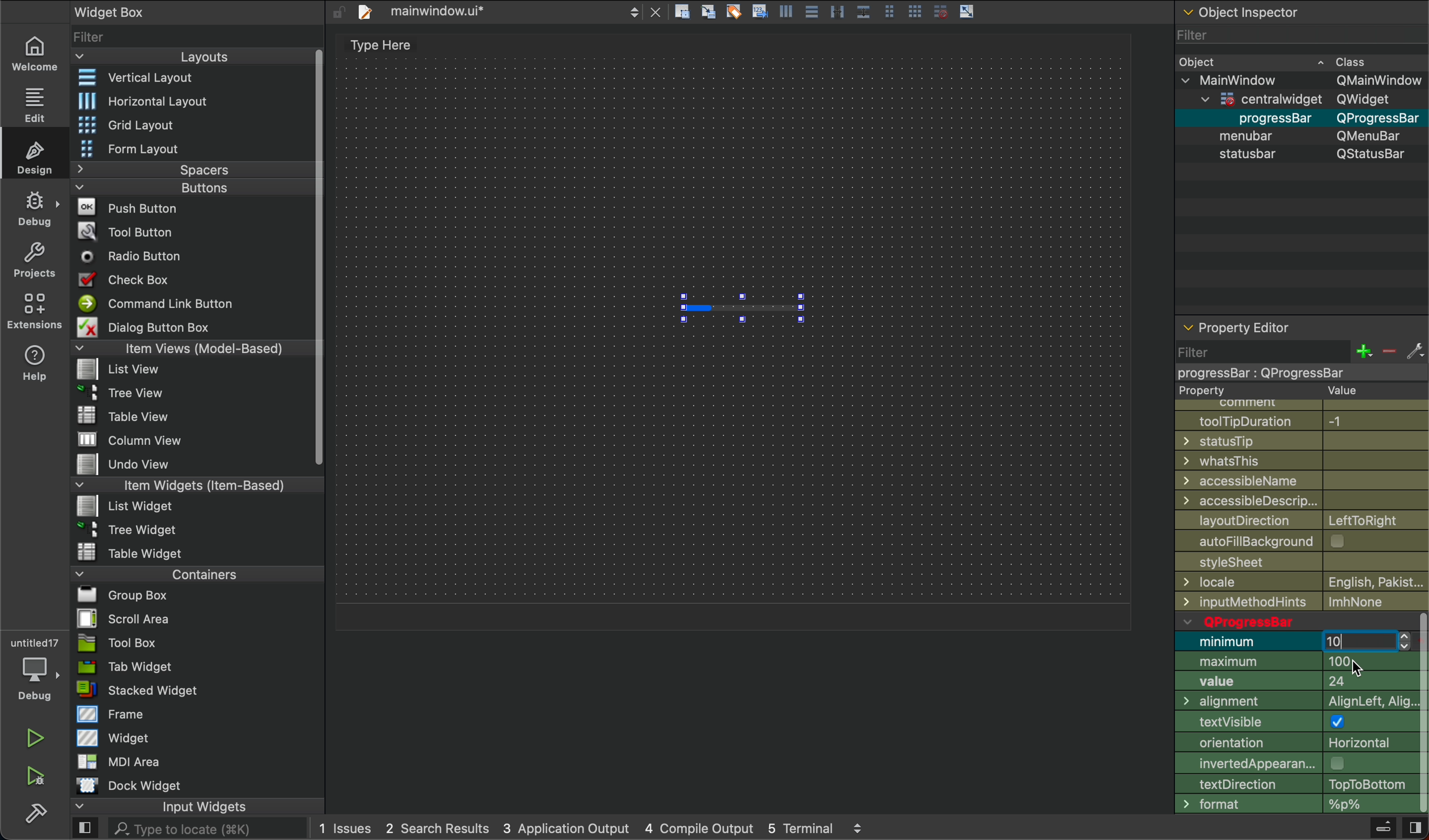 The height and width of the screenshot is (840, 1429). I want to click on Form Layout, so click(143, 149).